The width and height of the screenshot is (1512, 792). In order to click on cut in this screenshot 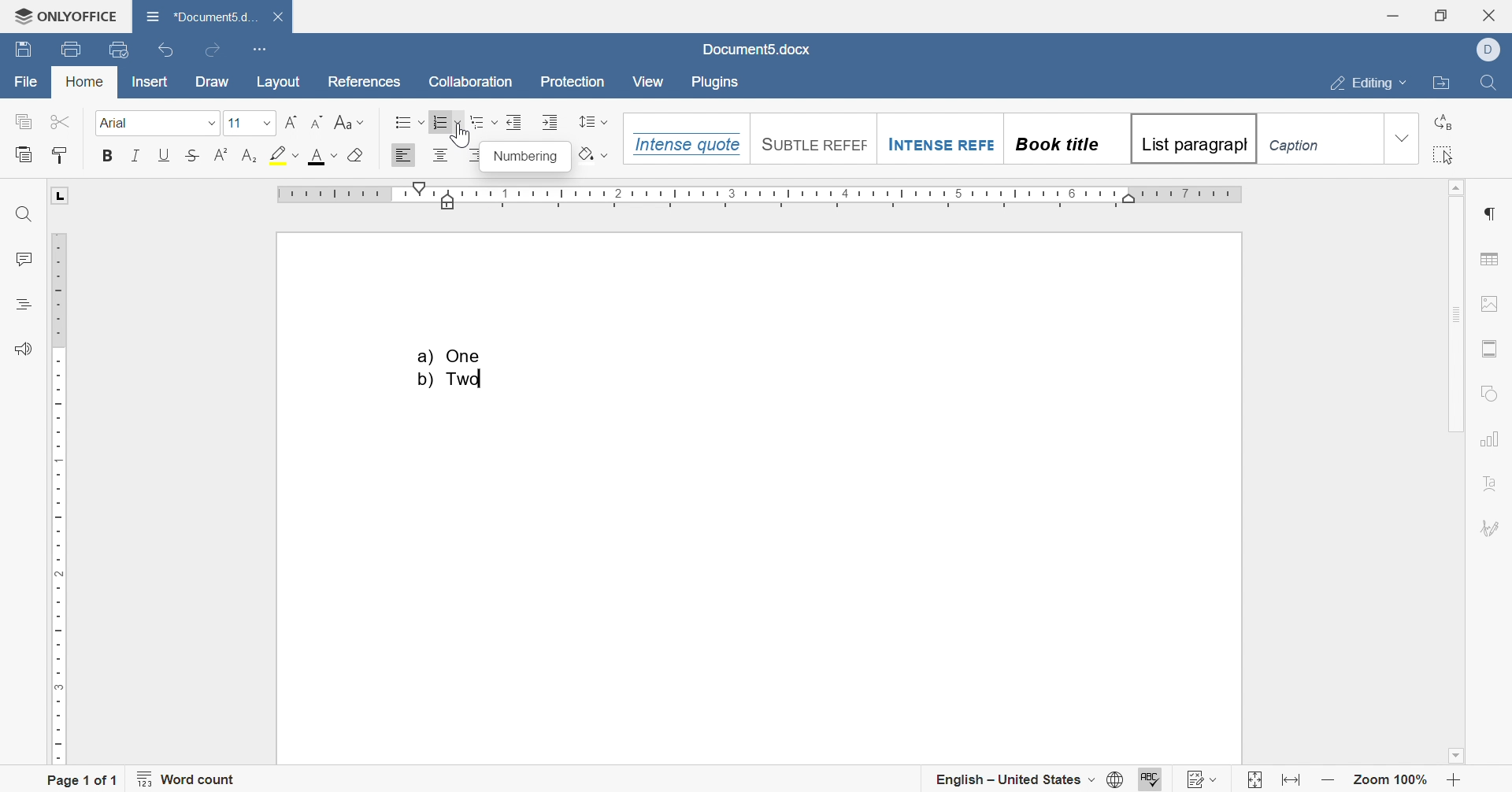, I will do `click(61, 122)`.